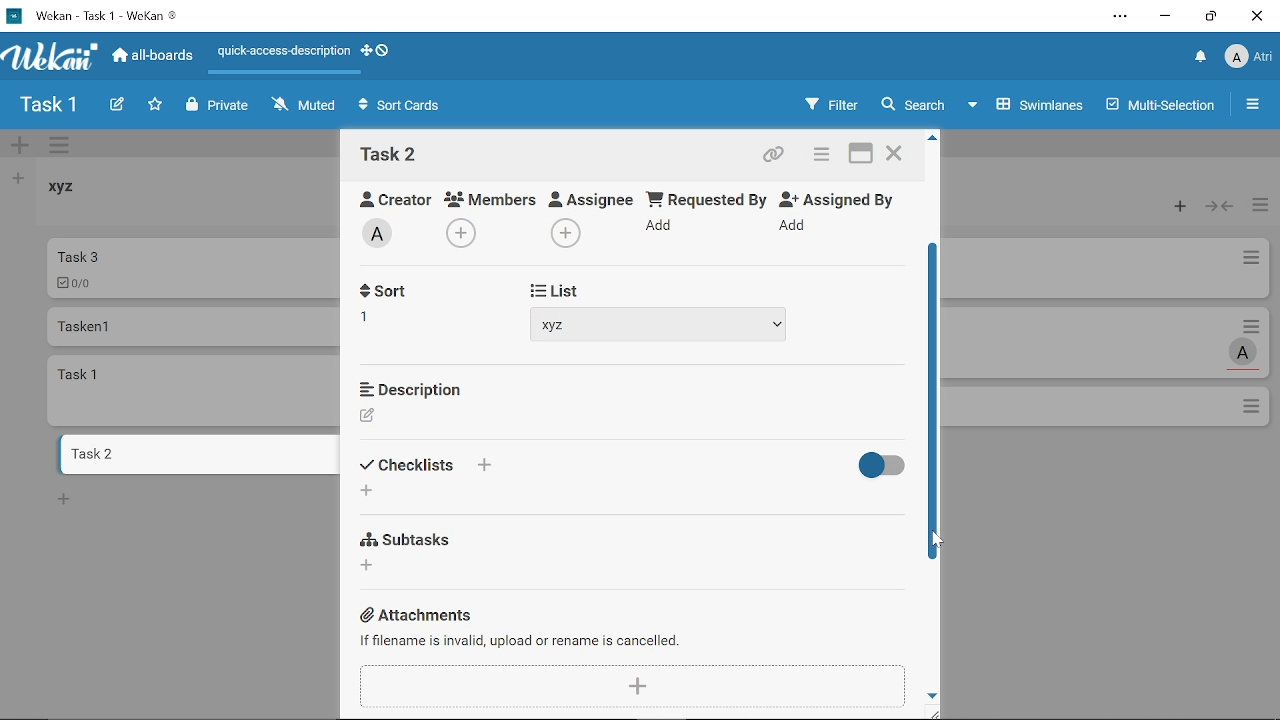 The width and height of the screenshot is (1280, 720). What do you see at coordinates (75, 194) in the screenshot?
I see `List named "xyz"` at bounding box center [75, 194].